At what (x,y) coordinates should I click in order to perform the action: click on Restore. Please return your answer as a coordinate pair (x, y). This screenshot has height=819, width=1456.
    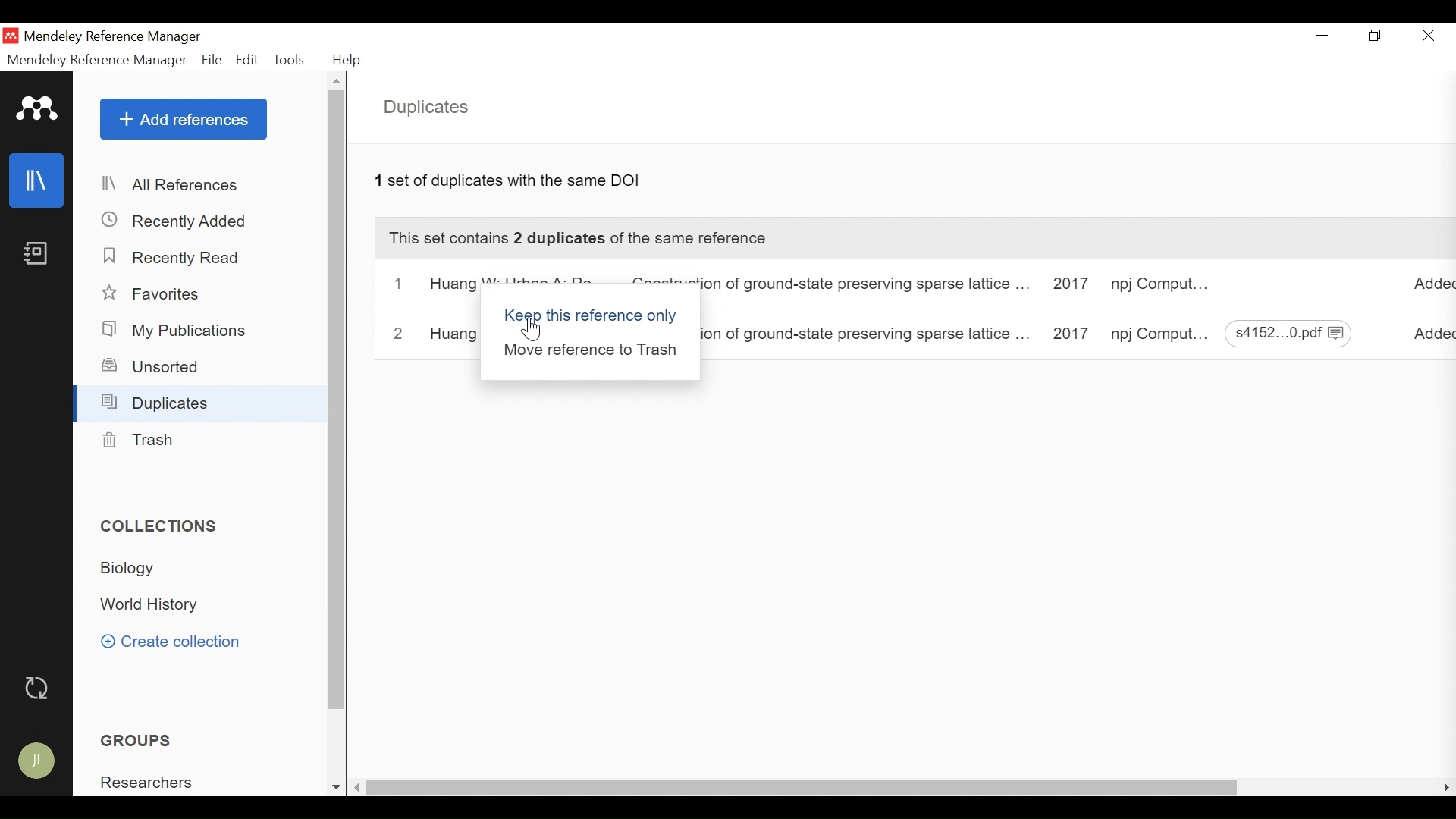
    Looking at the image, I should click on (1378, 36).